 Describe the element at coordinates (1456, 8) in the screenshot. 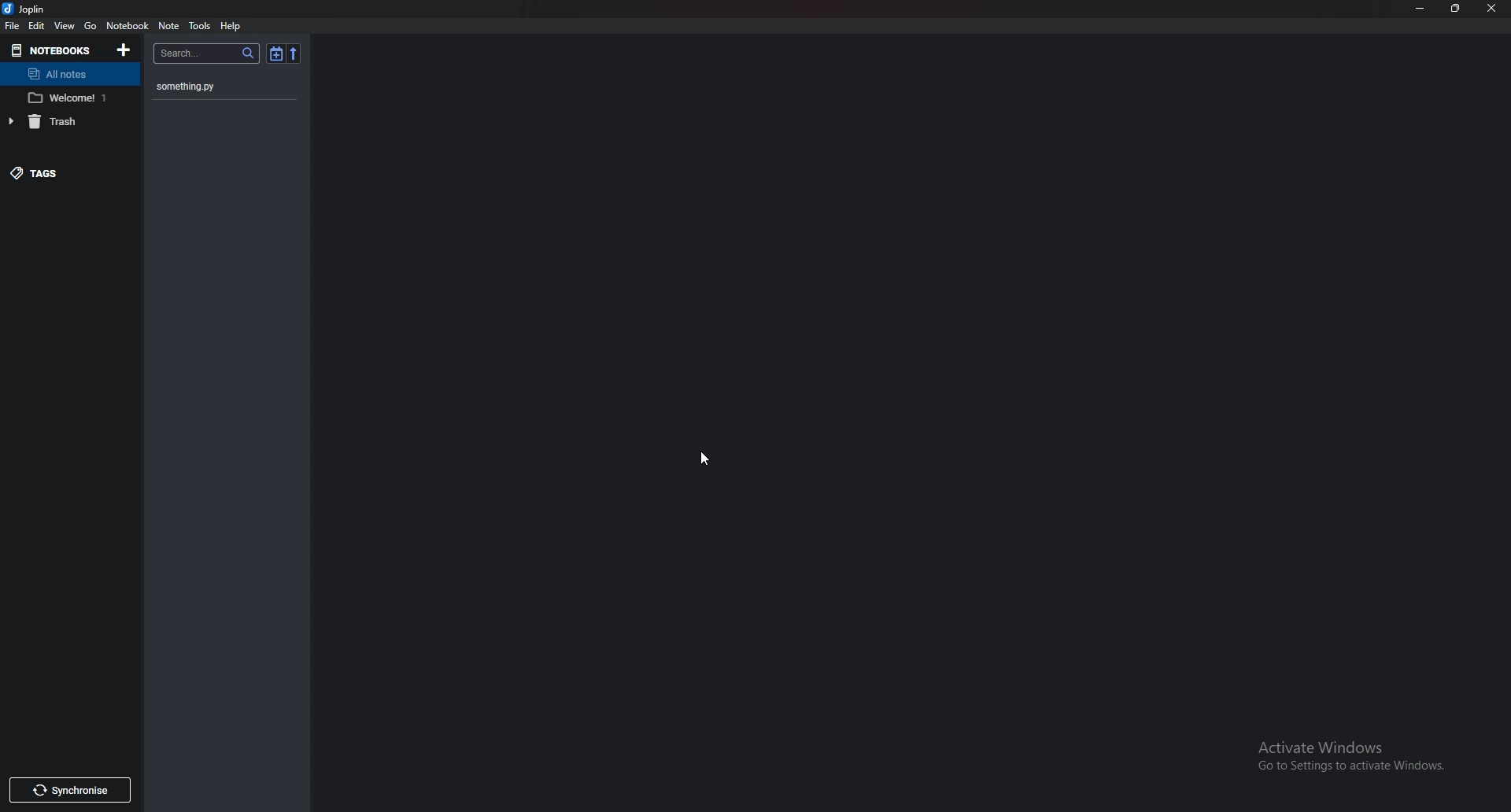

I see `Resize` at that location.